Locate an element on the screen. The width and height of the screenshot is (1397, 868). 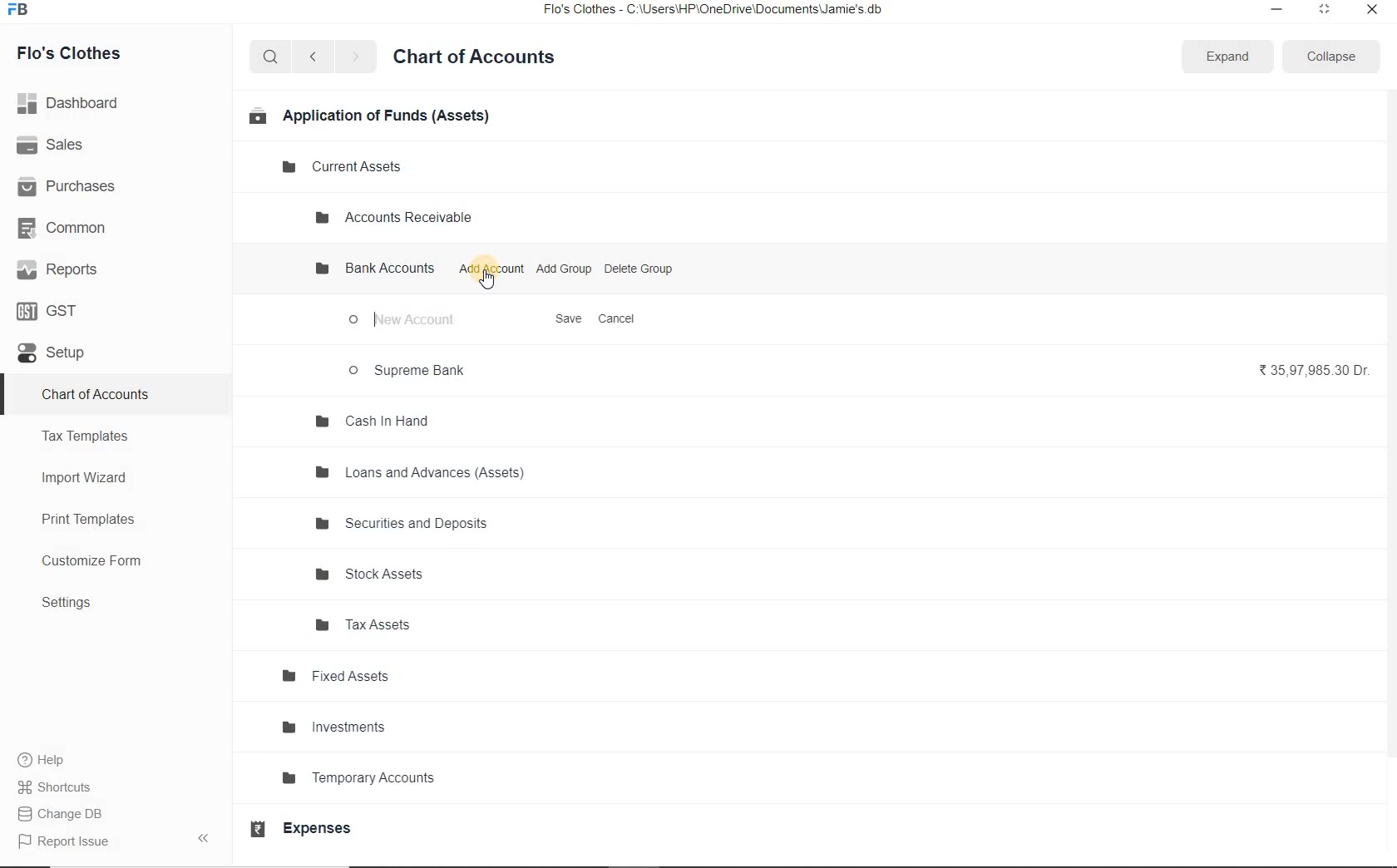
Customize Form is located at coordinates (99, 562).